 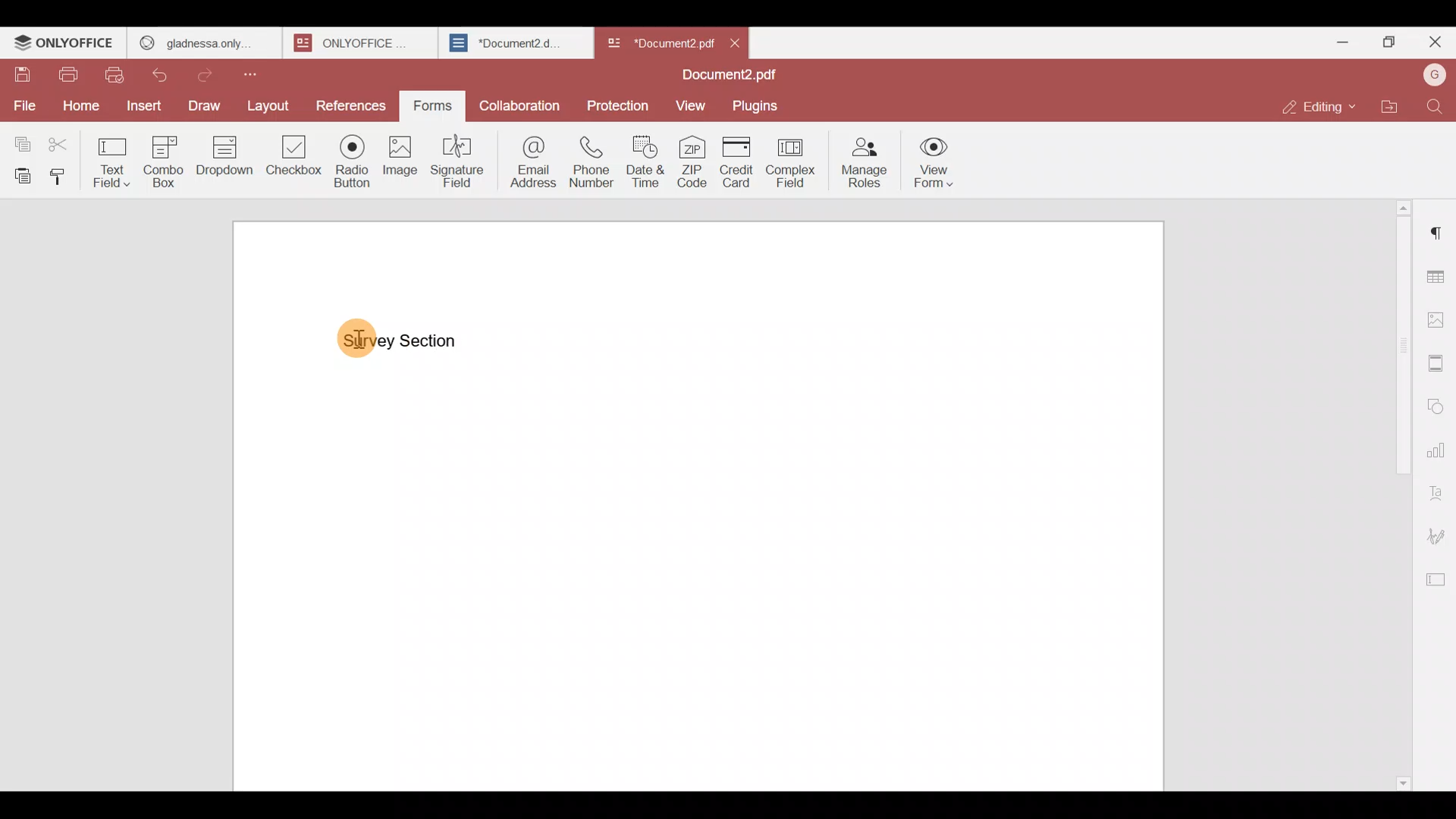 I want to click on Redo, so click(x=210, y=73).